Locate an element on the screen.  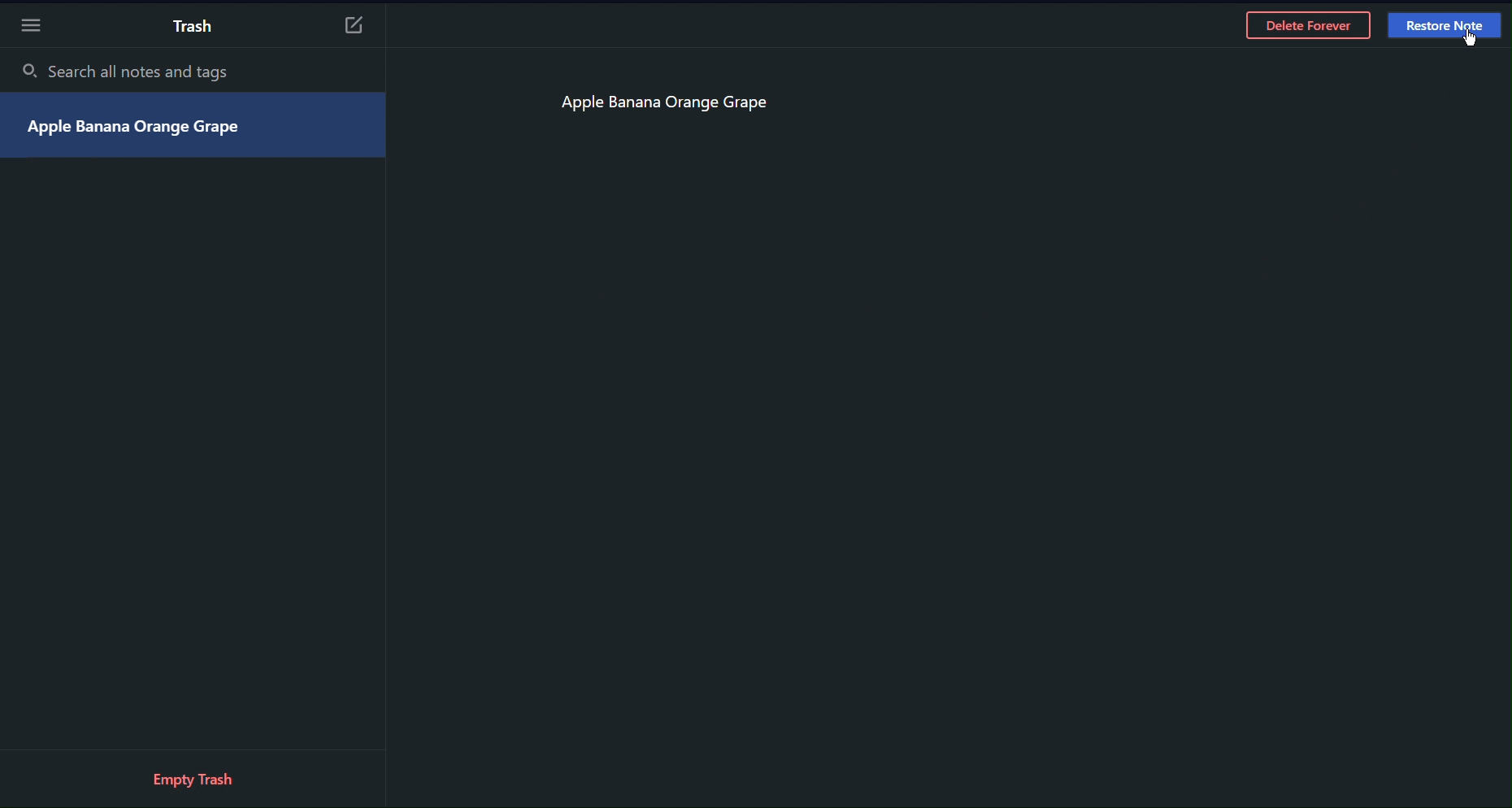
Delete Forever is located at coordinates (1304, 28).